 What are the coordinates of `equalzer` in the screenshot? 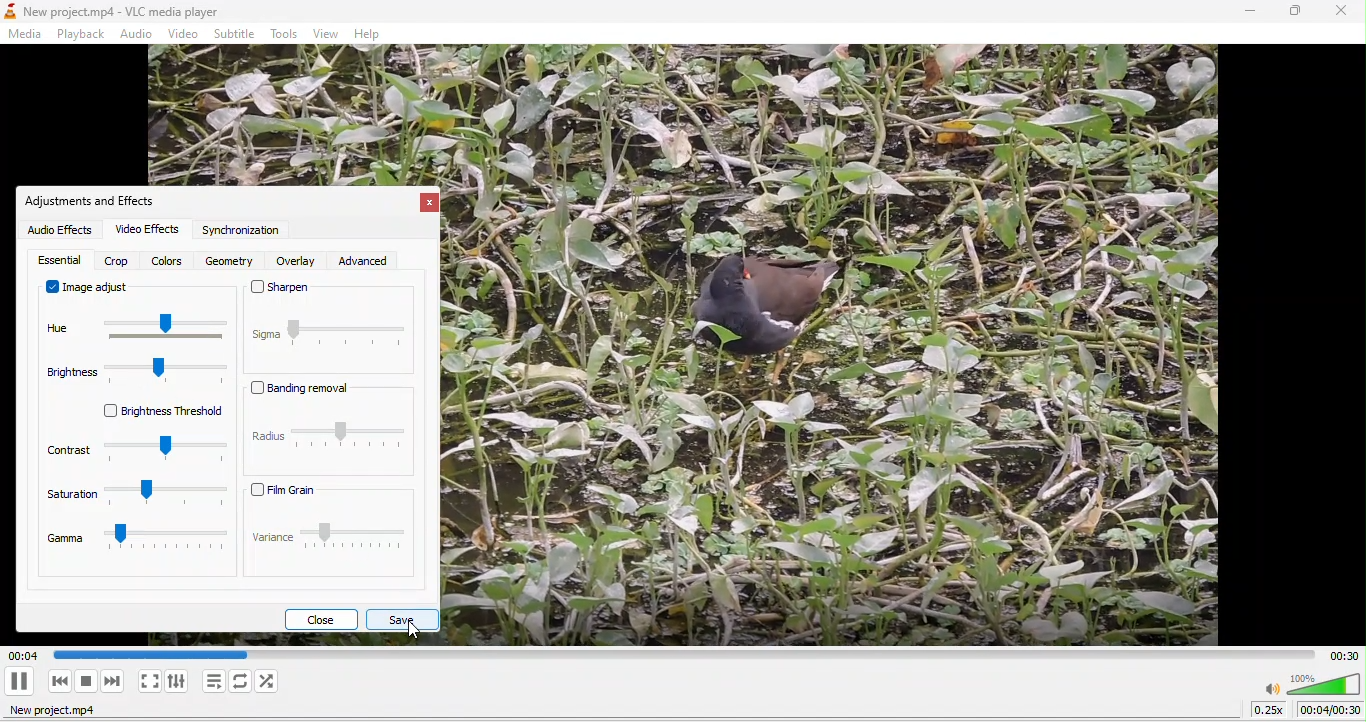 It's located at (59, 260).